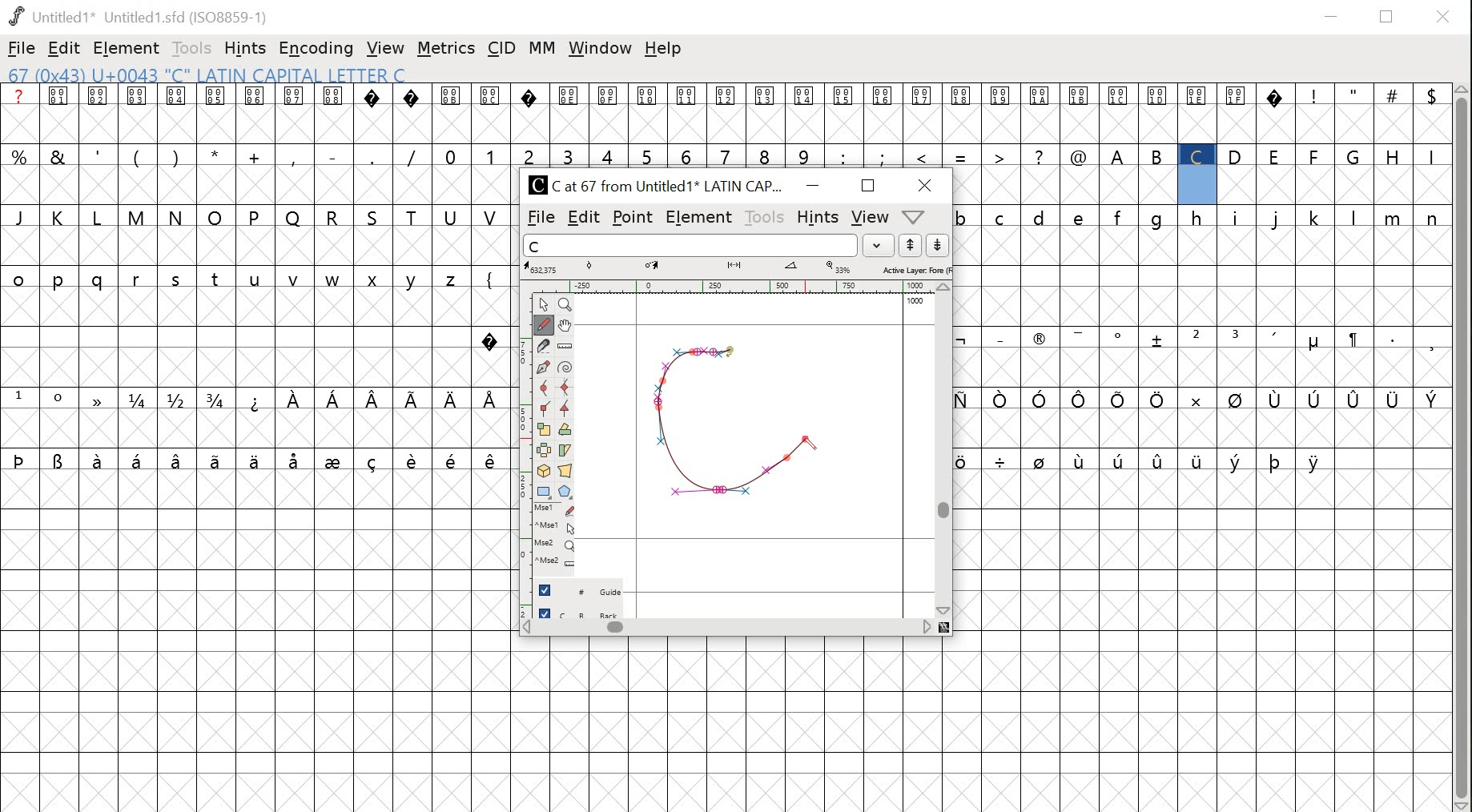  I want to click on zoom, so click(568, 304).